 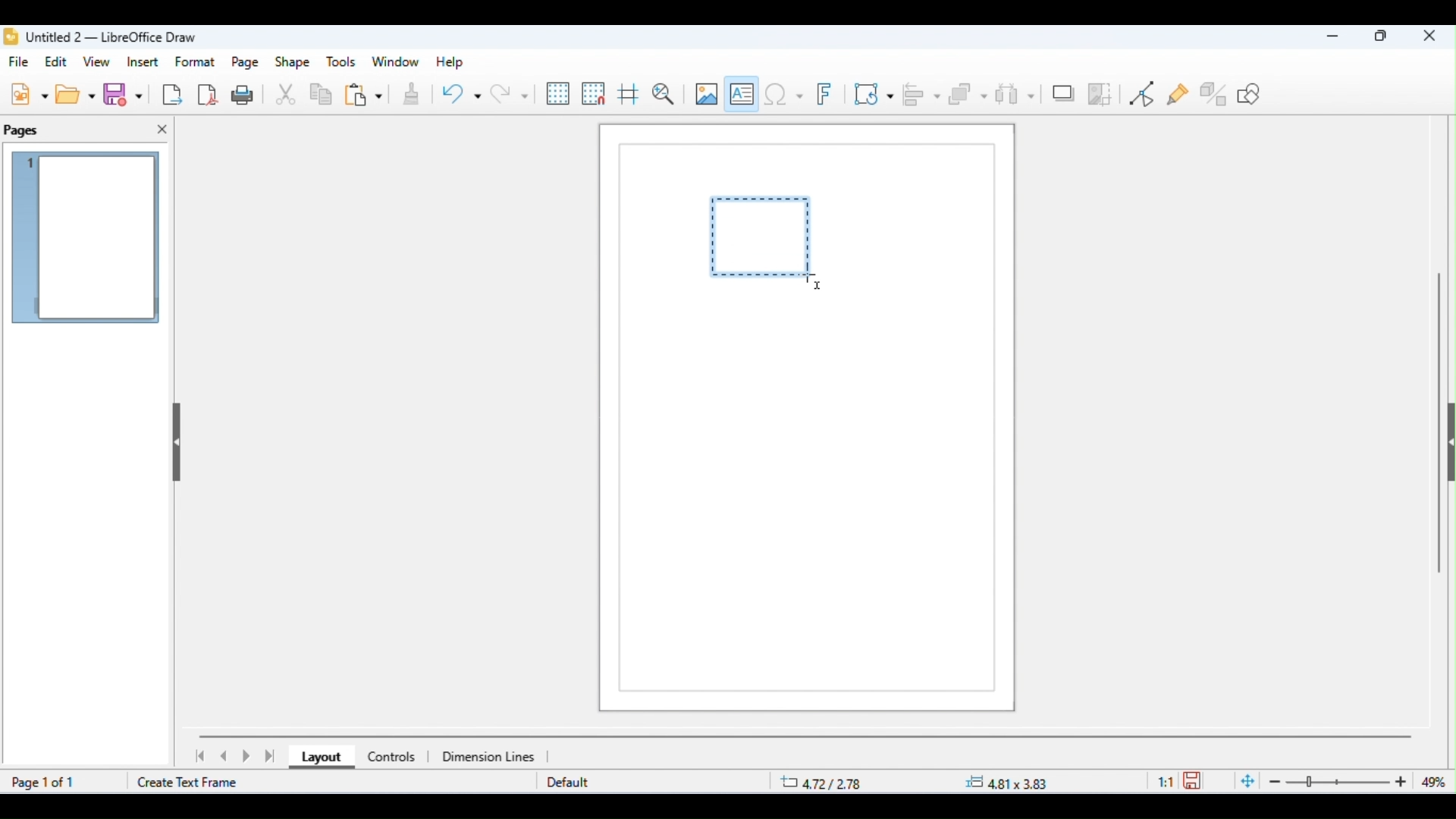 What do you see at coordinates (874, 93) in the screenshot?
I see `transformations` at bounding box center [874, 93].